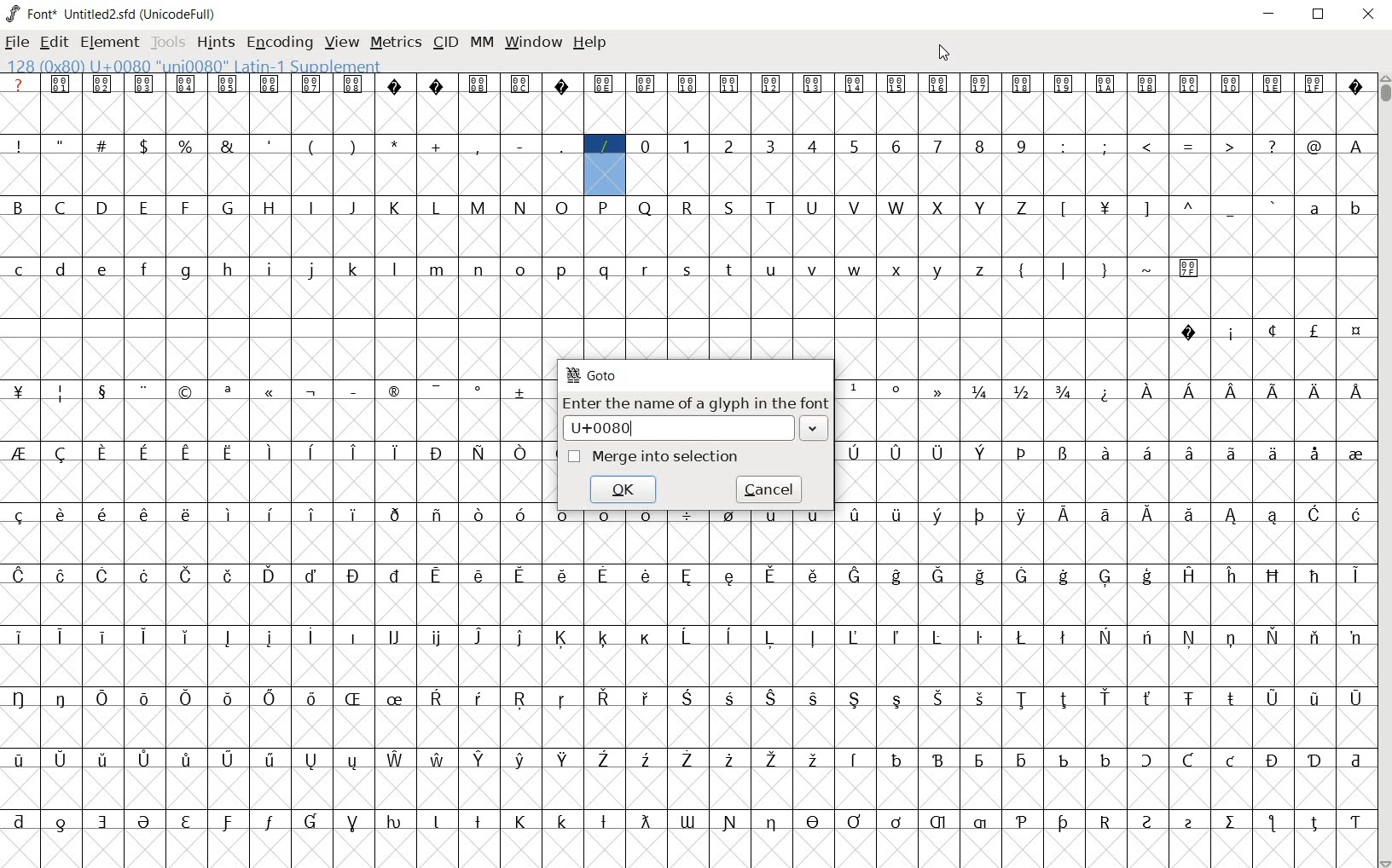 The image size is (1392, 868). I want to click on glyph, so click(352, 208).